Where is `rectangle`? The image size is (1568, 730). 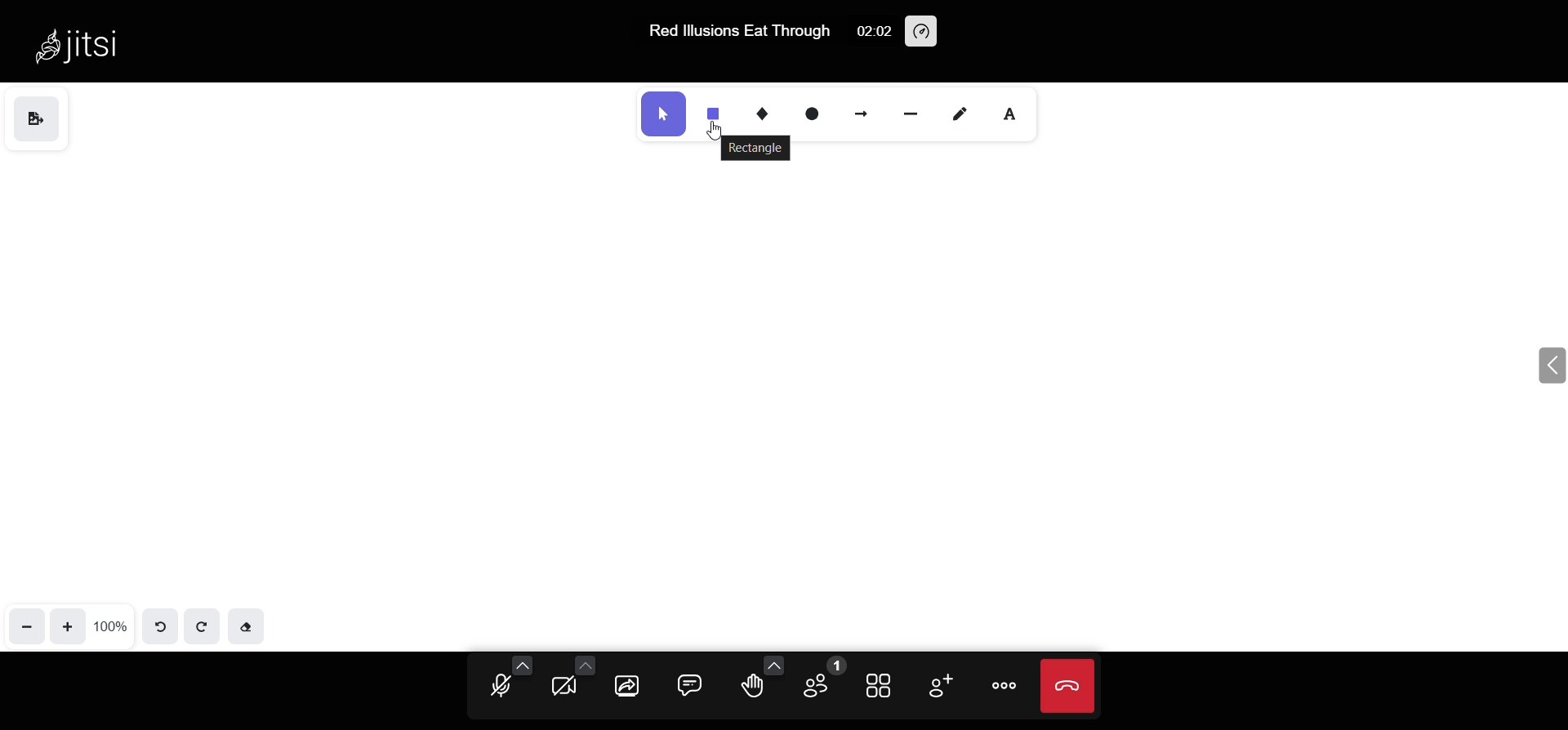 rectangle is located at coordinates (714, 111).